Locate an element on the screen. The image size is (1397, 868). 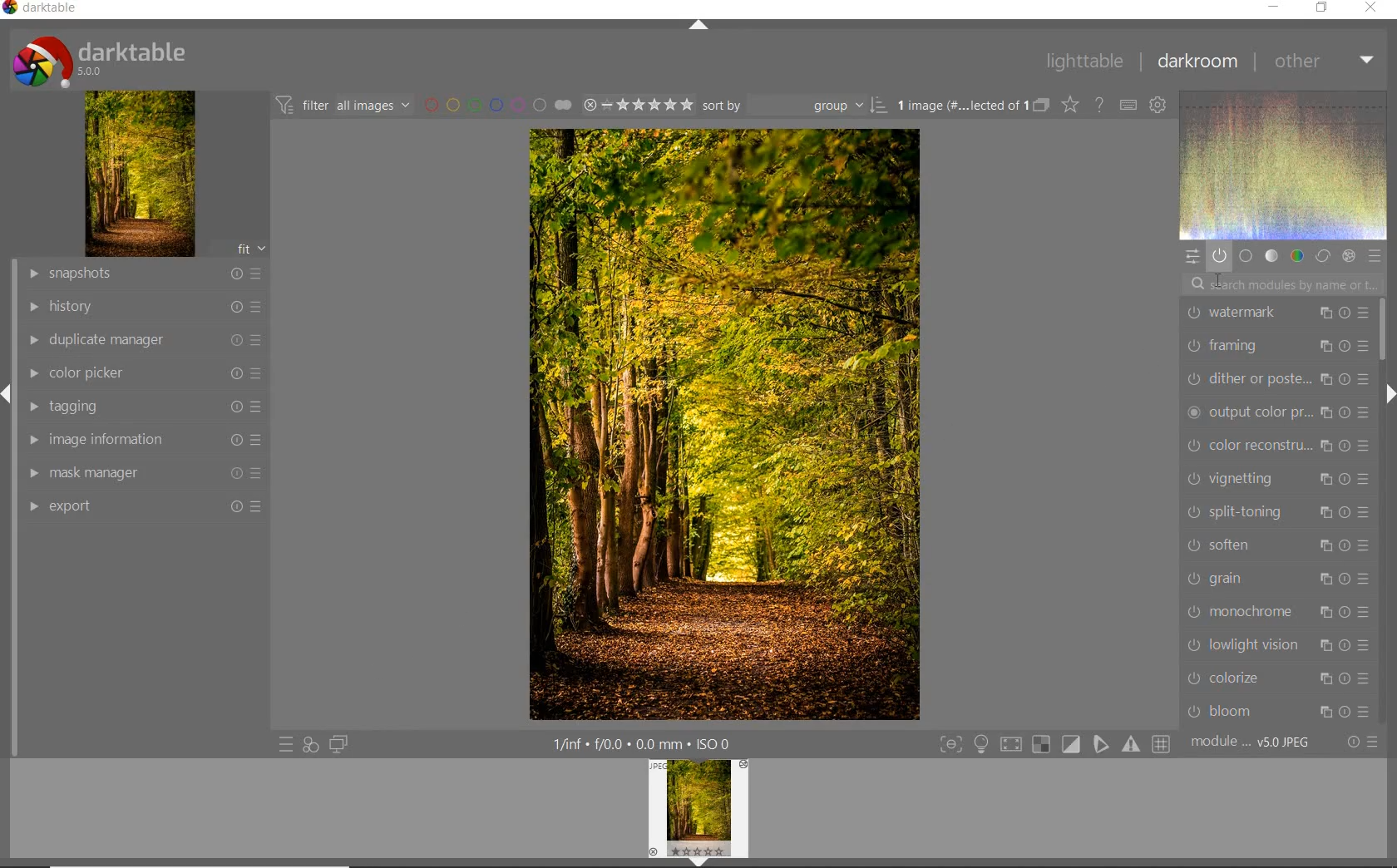
show global preference is located at coordinates (1159, 106).